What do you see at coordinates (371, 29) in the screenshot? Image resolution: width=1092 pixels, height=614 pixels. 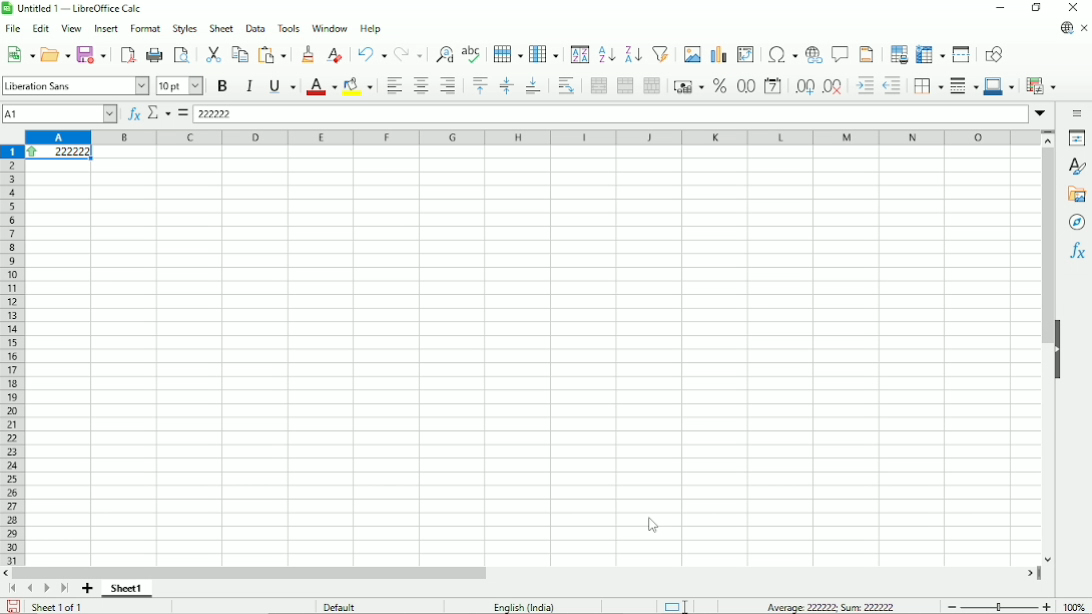 I see `Help` at bounding box center [371, 29].